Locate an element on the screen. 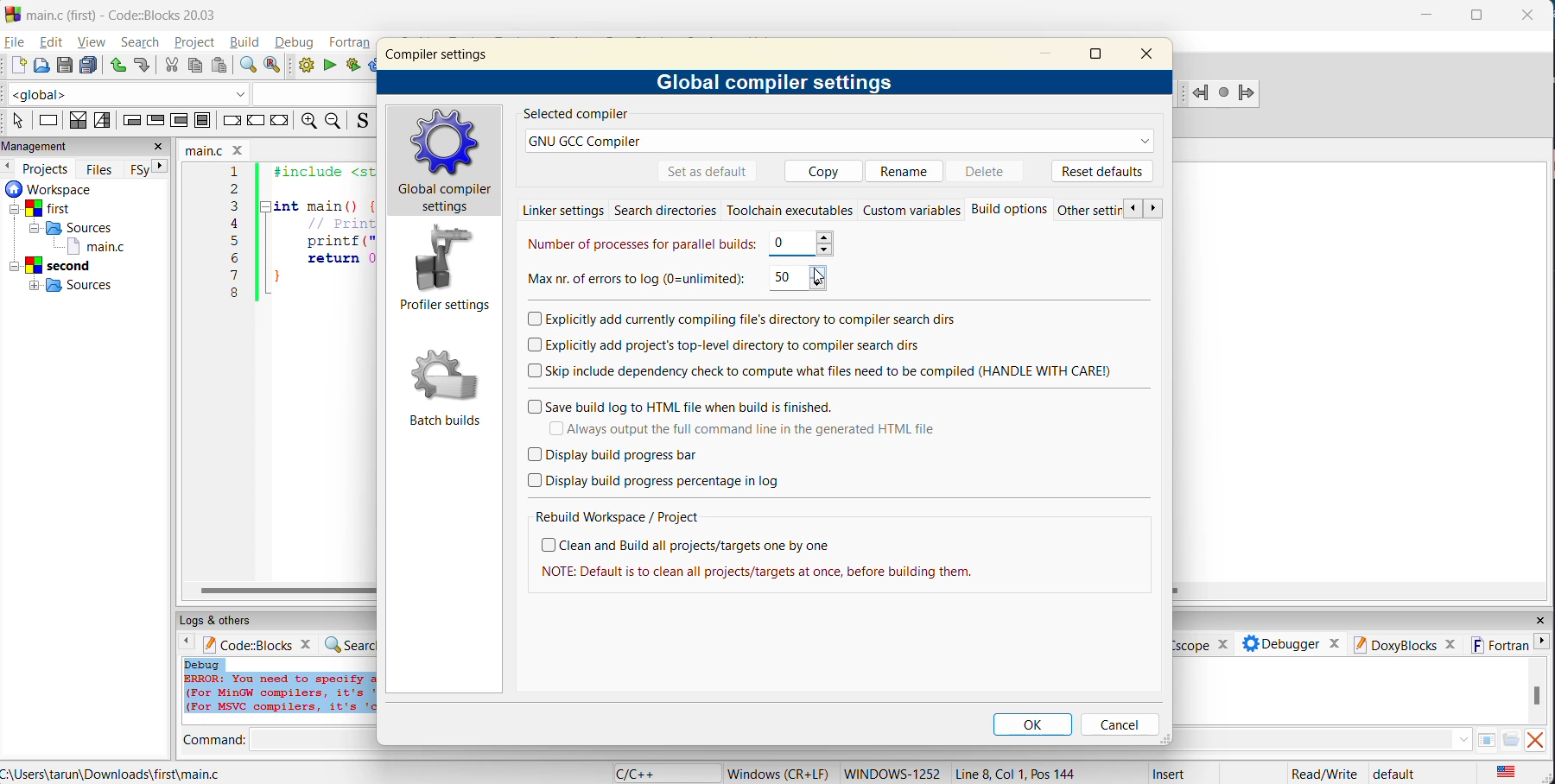 This screenshot has width=1555, height=784. profile settings is located at coordinates (447, 269).